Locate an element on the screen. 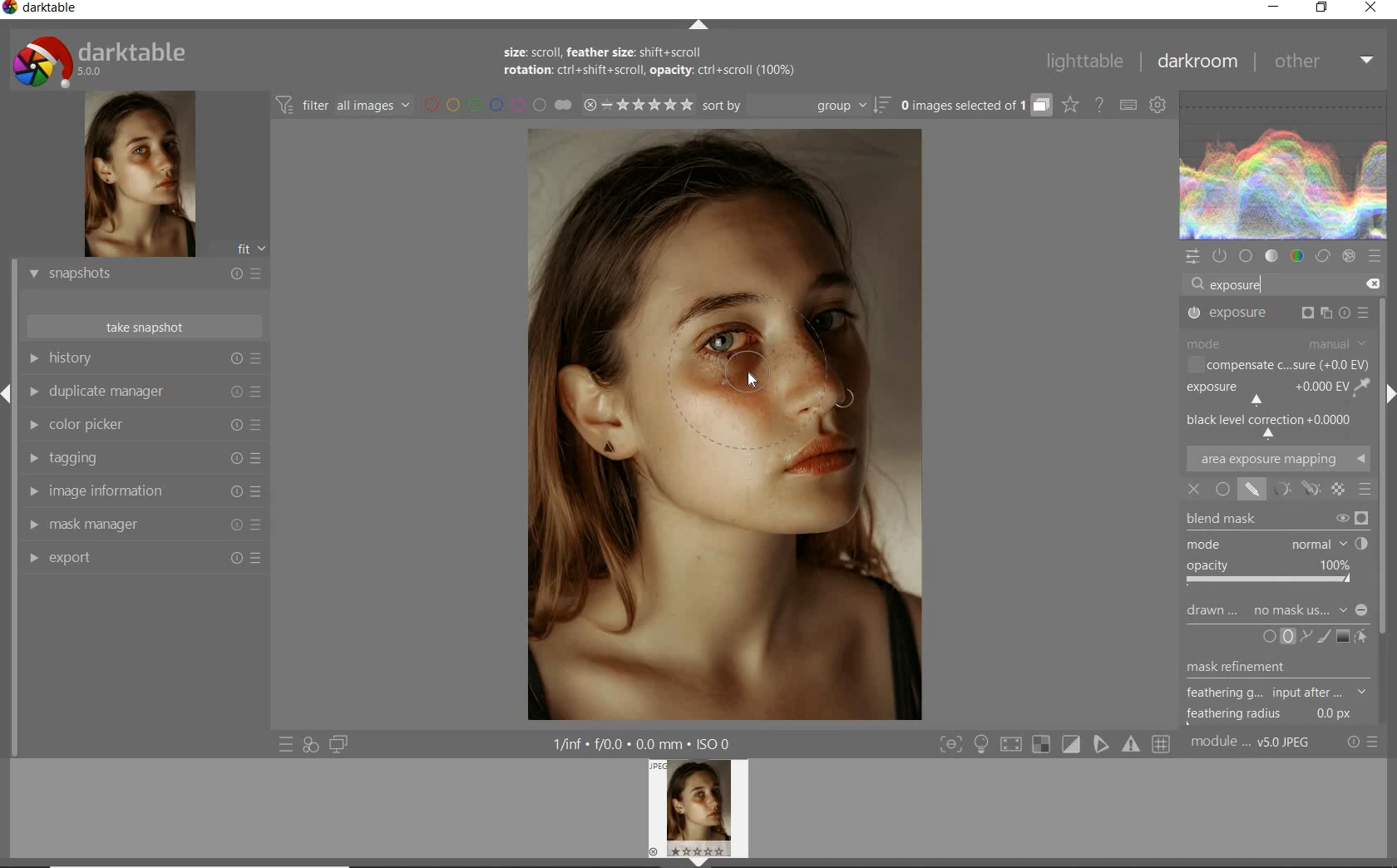 Image resolution: width=1397 pixels, height=868 pixels. restore is located at coordinates (1322, 11).